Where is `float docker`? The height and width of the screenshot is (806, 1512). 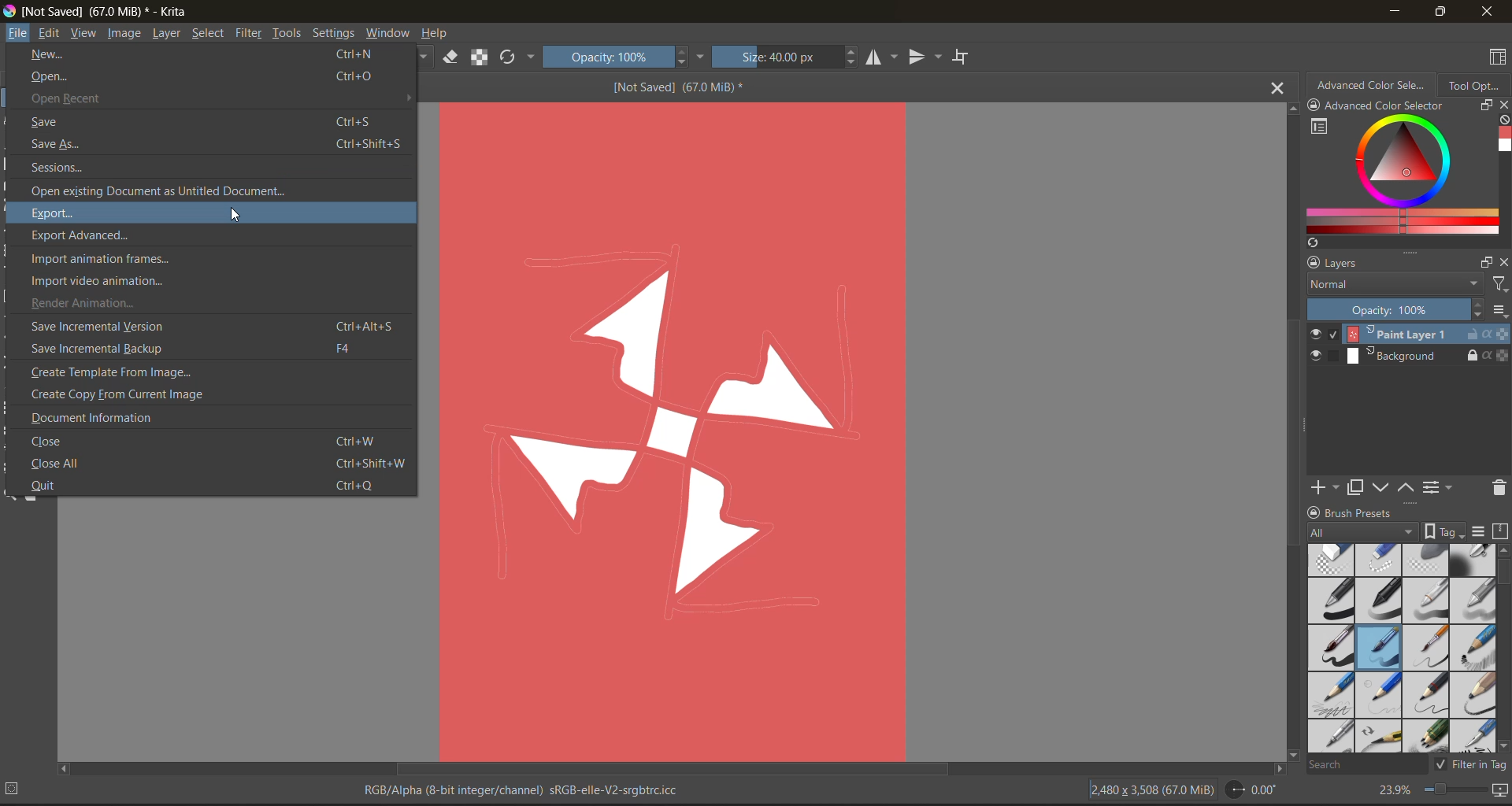 float docker is located at coordinates (1488, 262).